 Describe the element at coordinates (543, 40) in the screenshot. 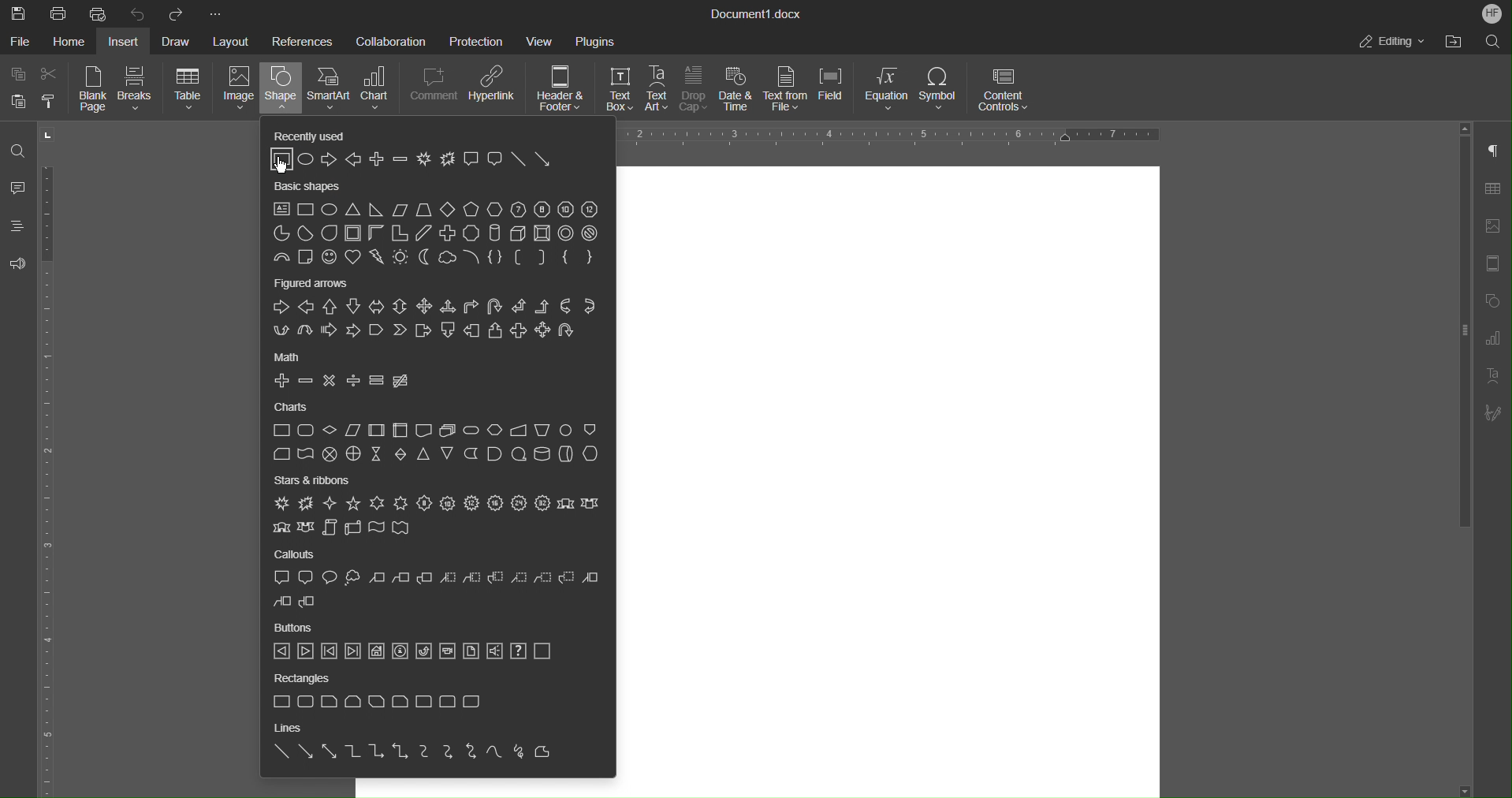

I see `View` at that location.